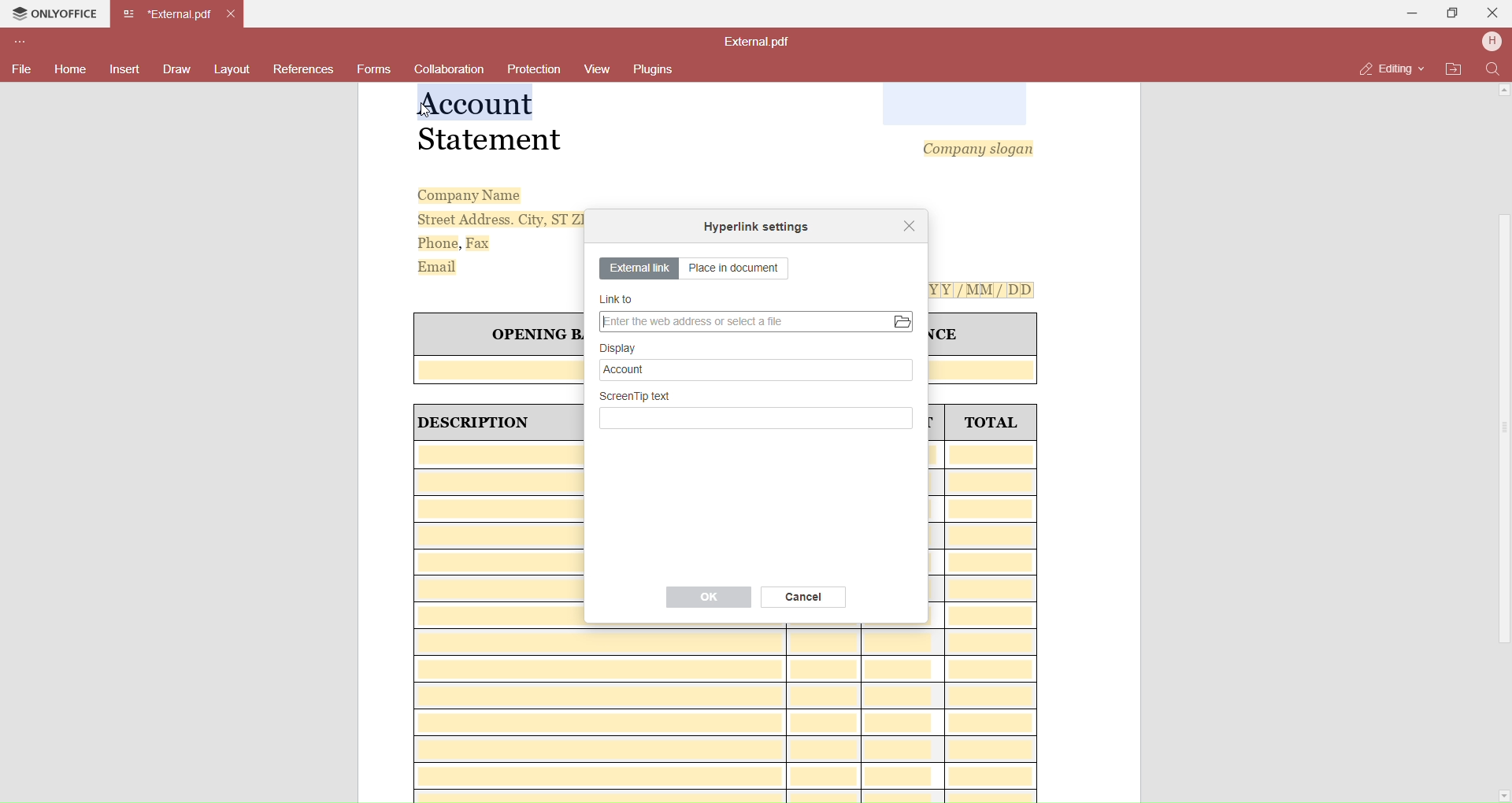 This screenshot has width=1512, height=803. I want to click on Write Screentp, so click(757, 417).